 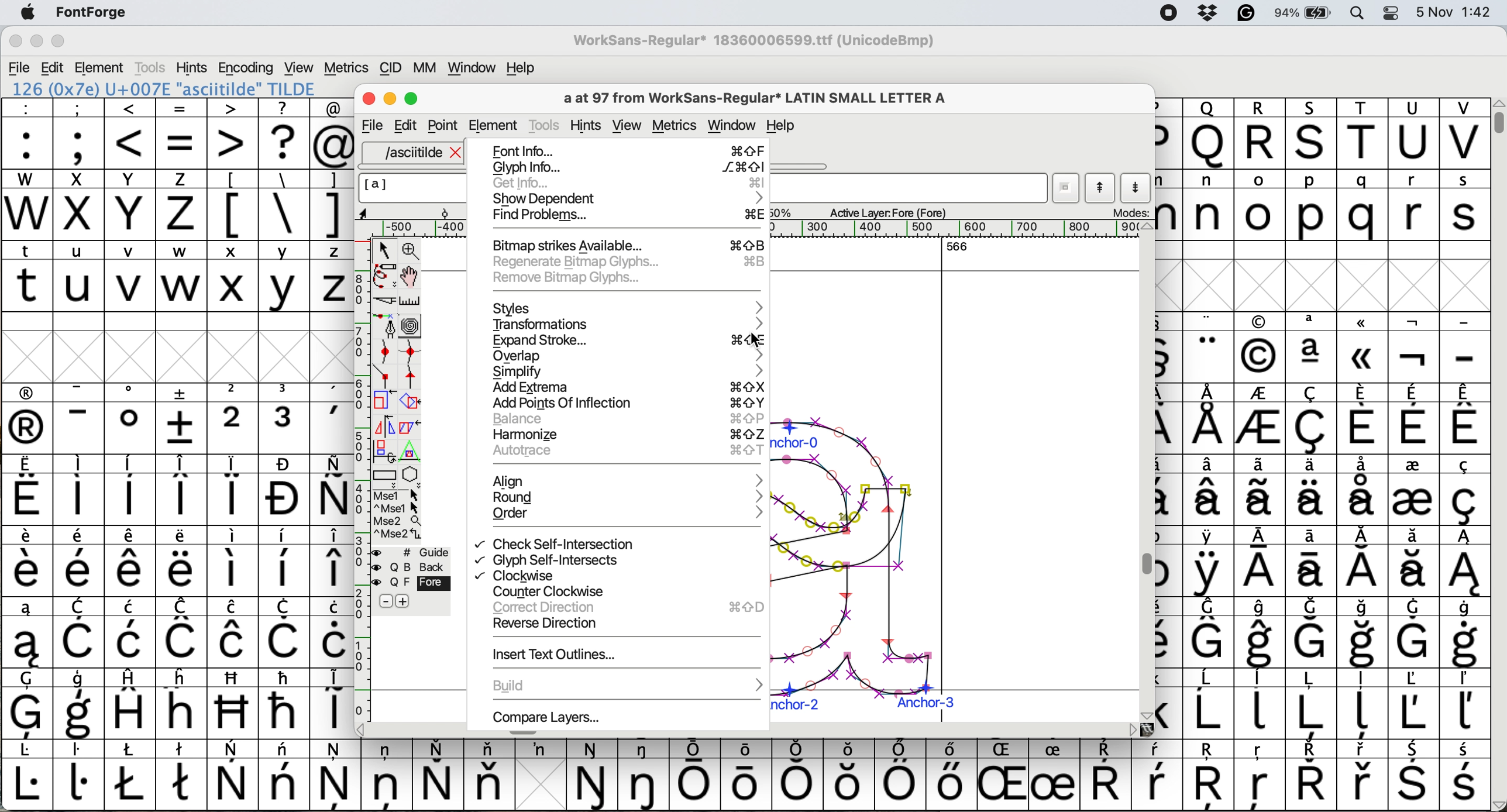 What do you see at coordinates (1208, 204) in the screenshot?
I see `n` at bounding box center [1208, 204].